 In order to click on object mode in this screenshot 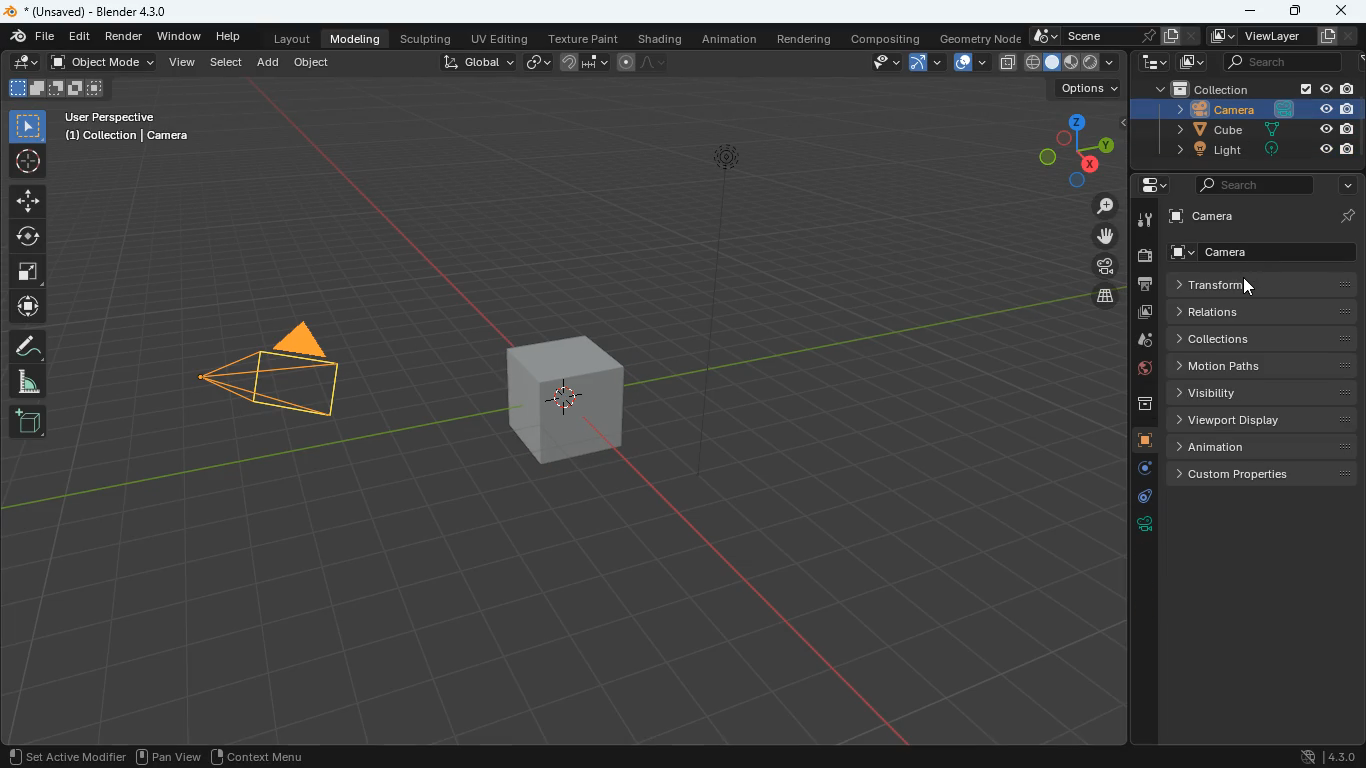, I will do `click(103, 63)`.